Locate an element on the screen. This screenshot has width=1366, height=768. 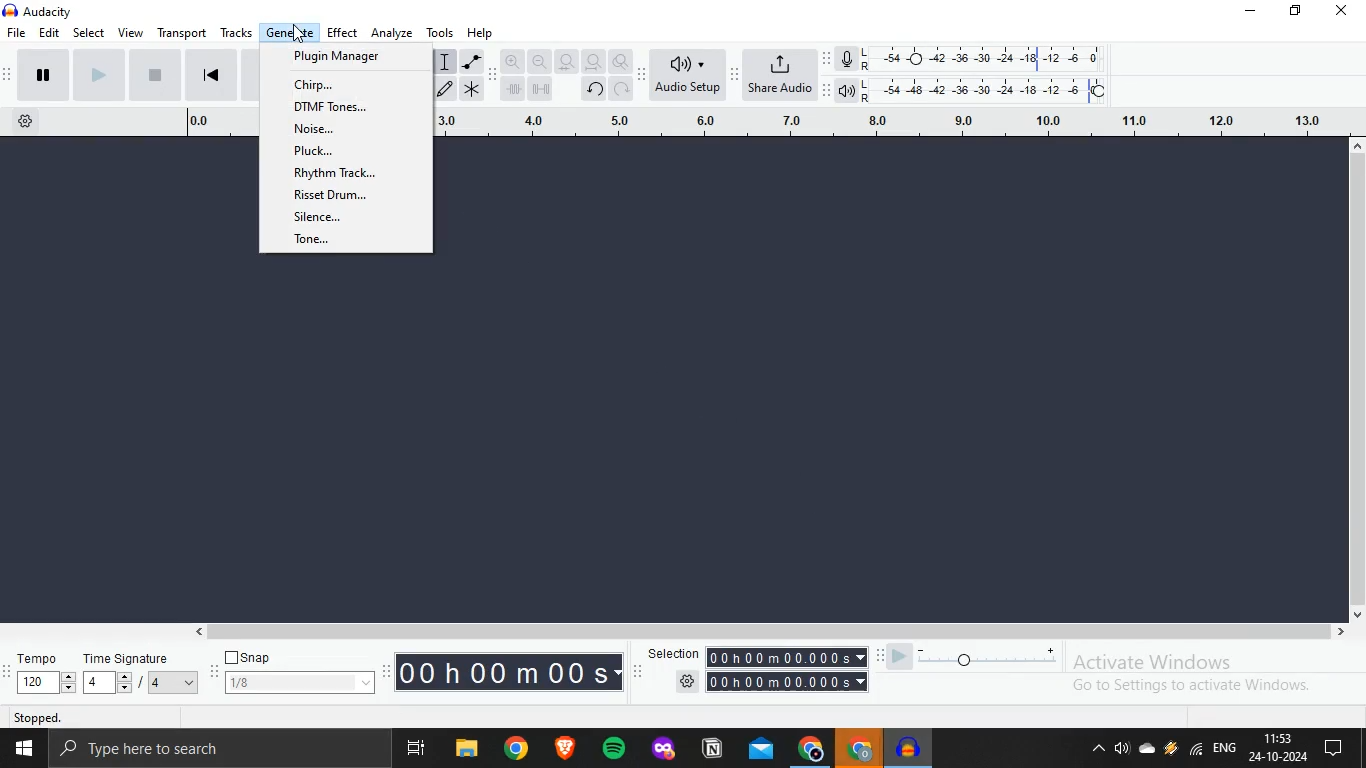
Sound is located at coordinates (1122, 750).